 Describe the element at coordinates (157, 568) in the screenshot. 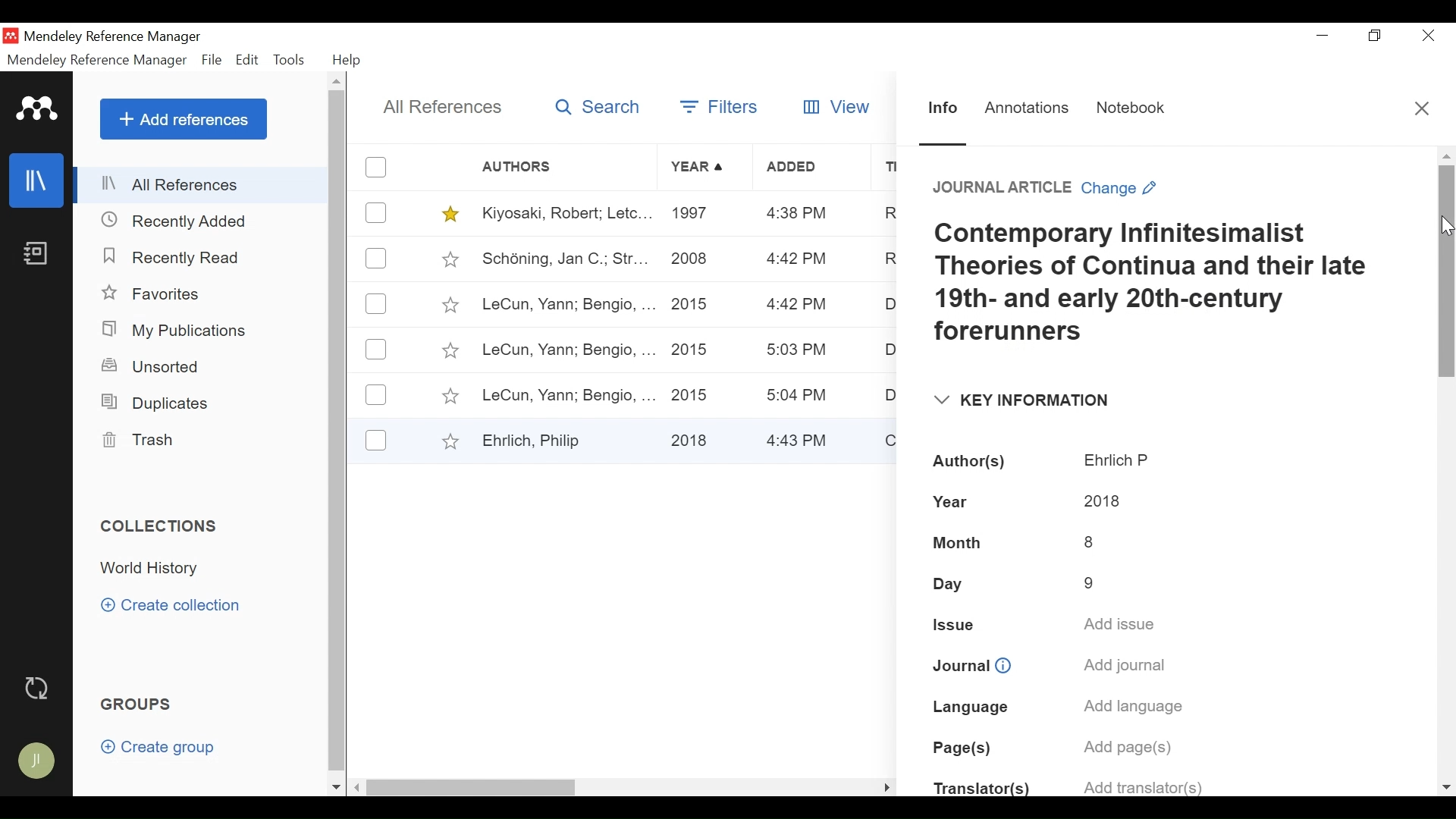

I see `Collection` at that location.